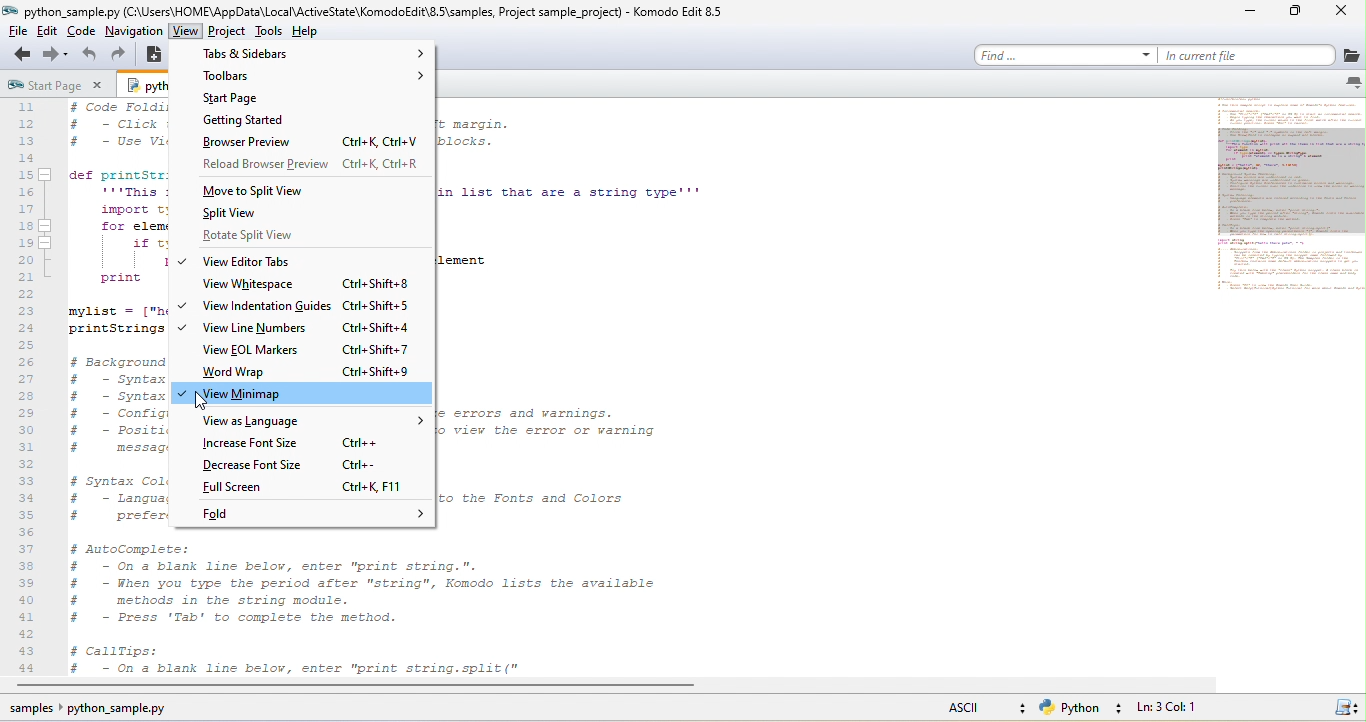 Image resolution: width=1366 pixels, height=722 pixels. I want to click on increase font style, so click(304, 444).